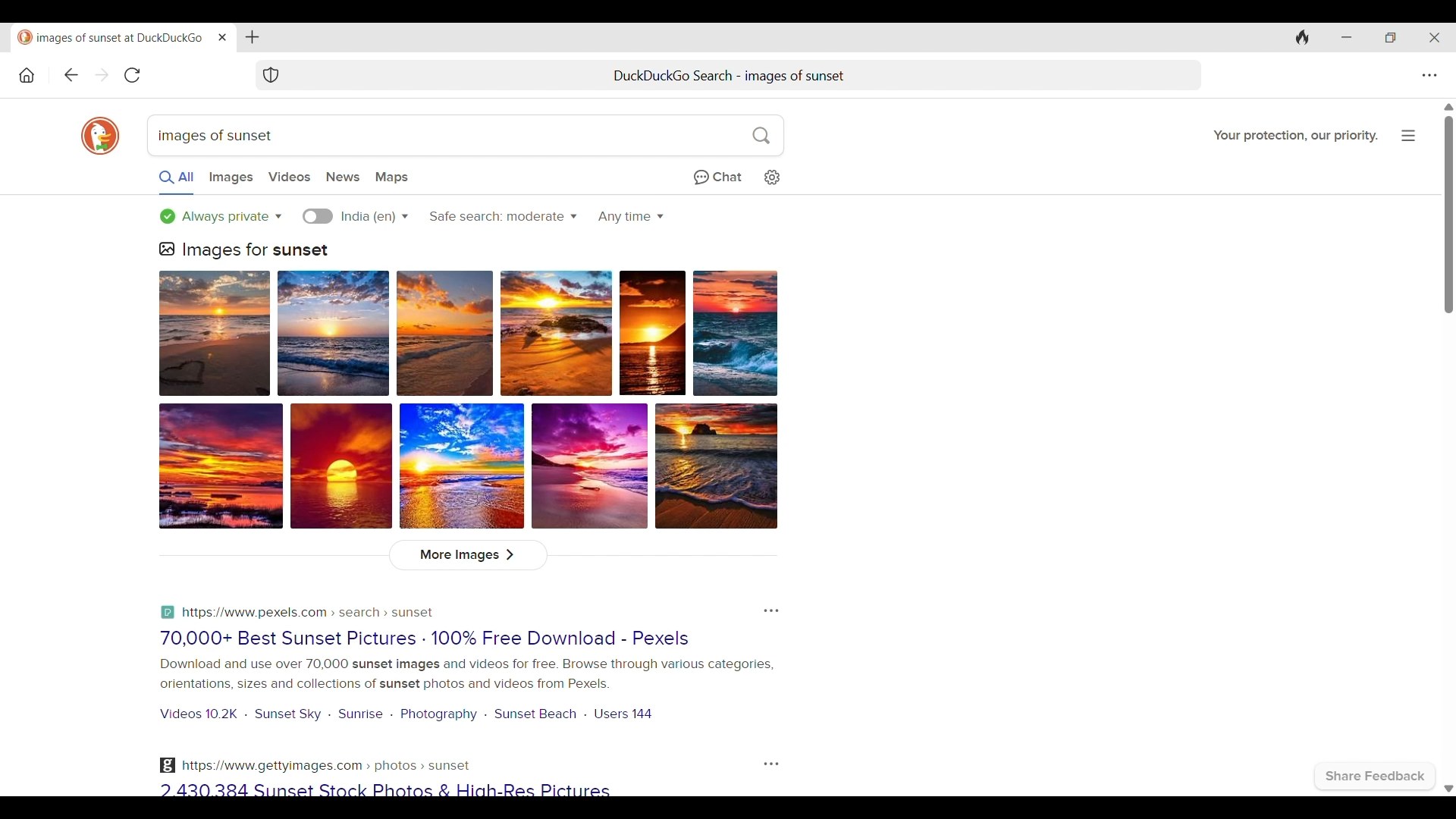  Describe the element at coordinates (196, 714) in the screenshot. I see `Videos 10.2 k` at that location.